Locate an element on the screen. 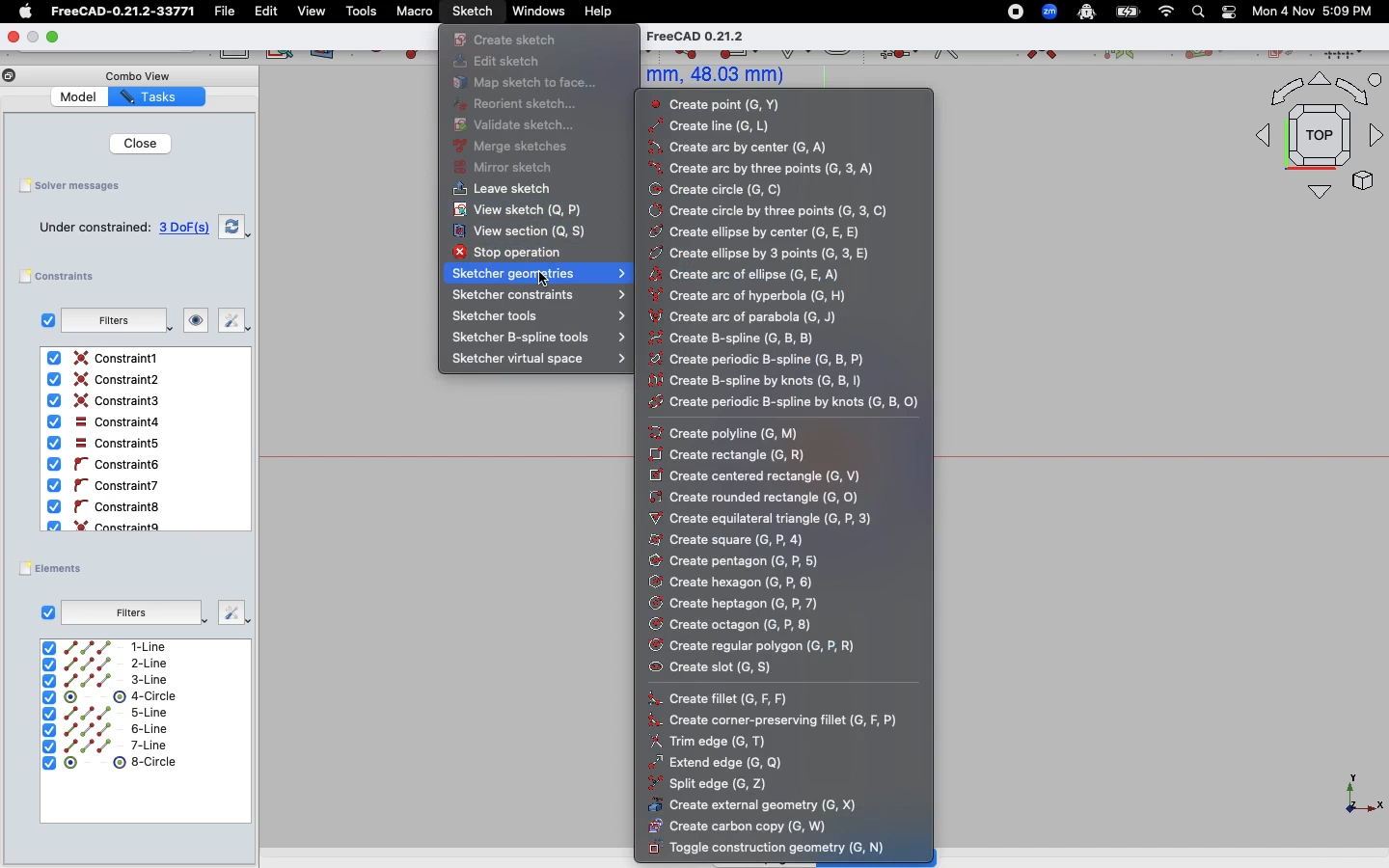 The height and width of the screenshot is (868, 1389). Create equilateral triangle(G, P, 3) is located at coordinates (766, 517).